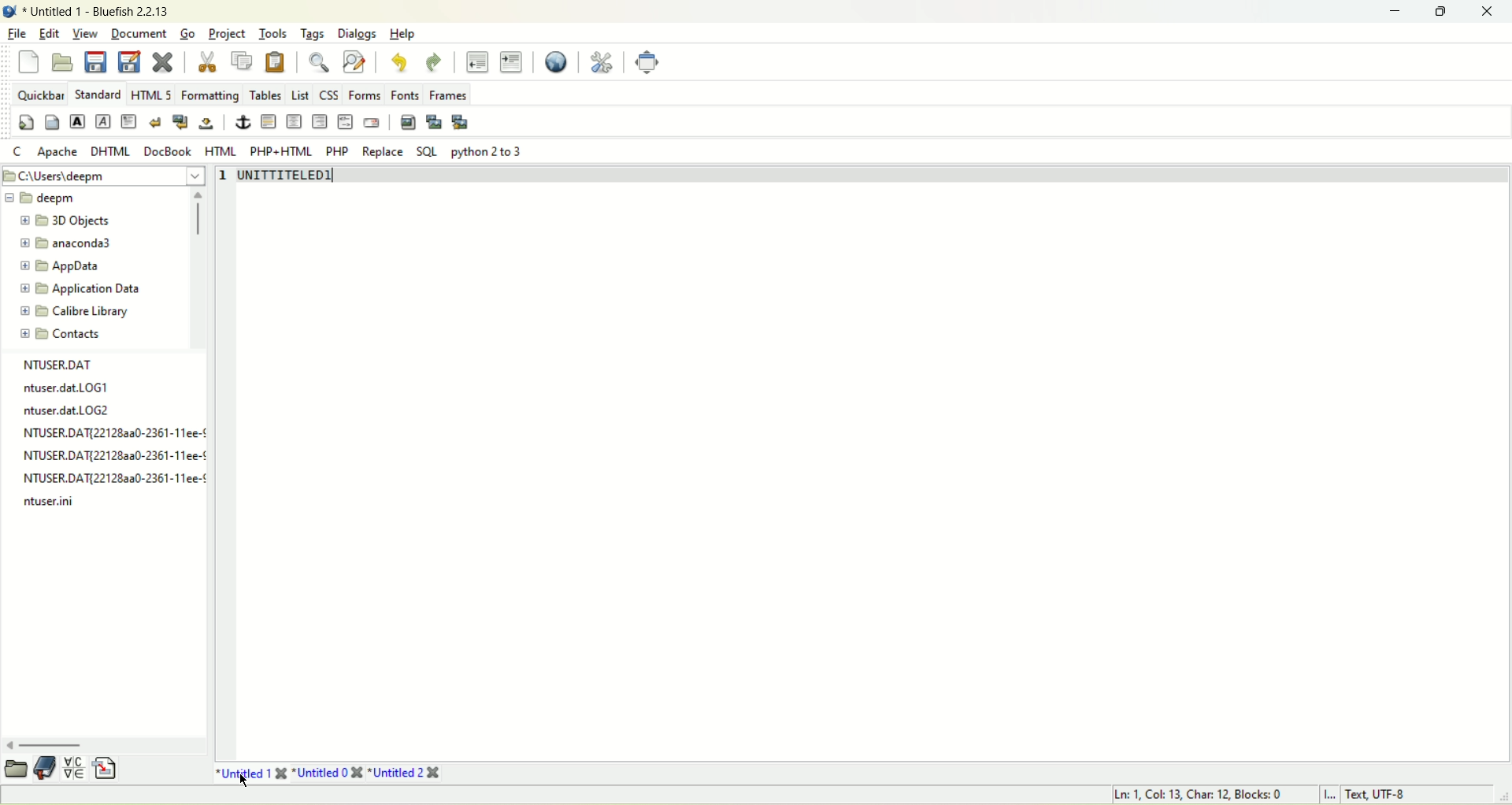  Describe the element at coordinates (72, 769) in the screenshot. I see `insert special character` at that location.